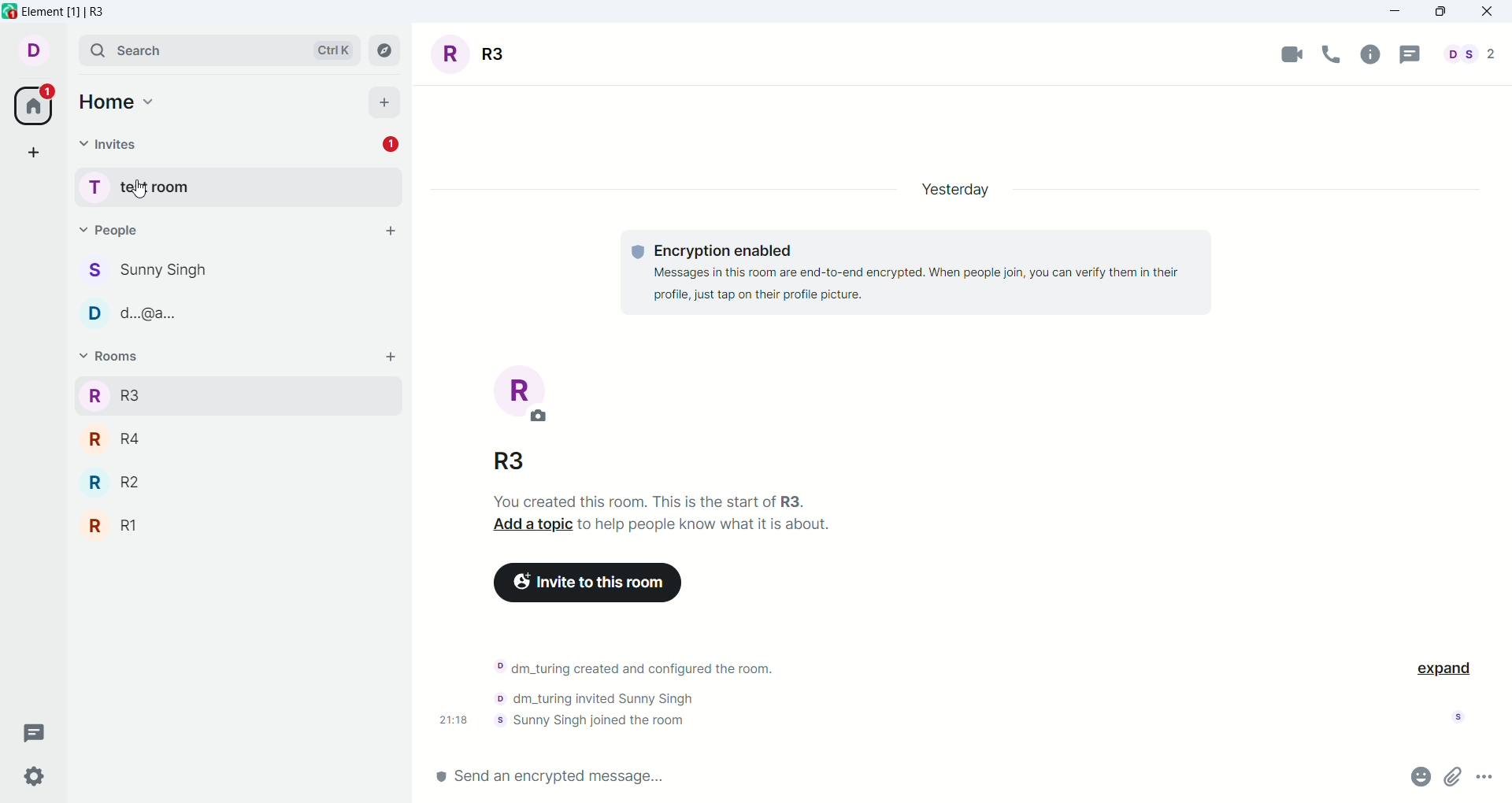 This screenshot has height=803, width=1512. Describe the element at coordinates (446, 721) in the screenshot. I see `time` at that location.